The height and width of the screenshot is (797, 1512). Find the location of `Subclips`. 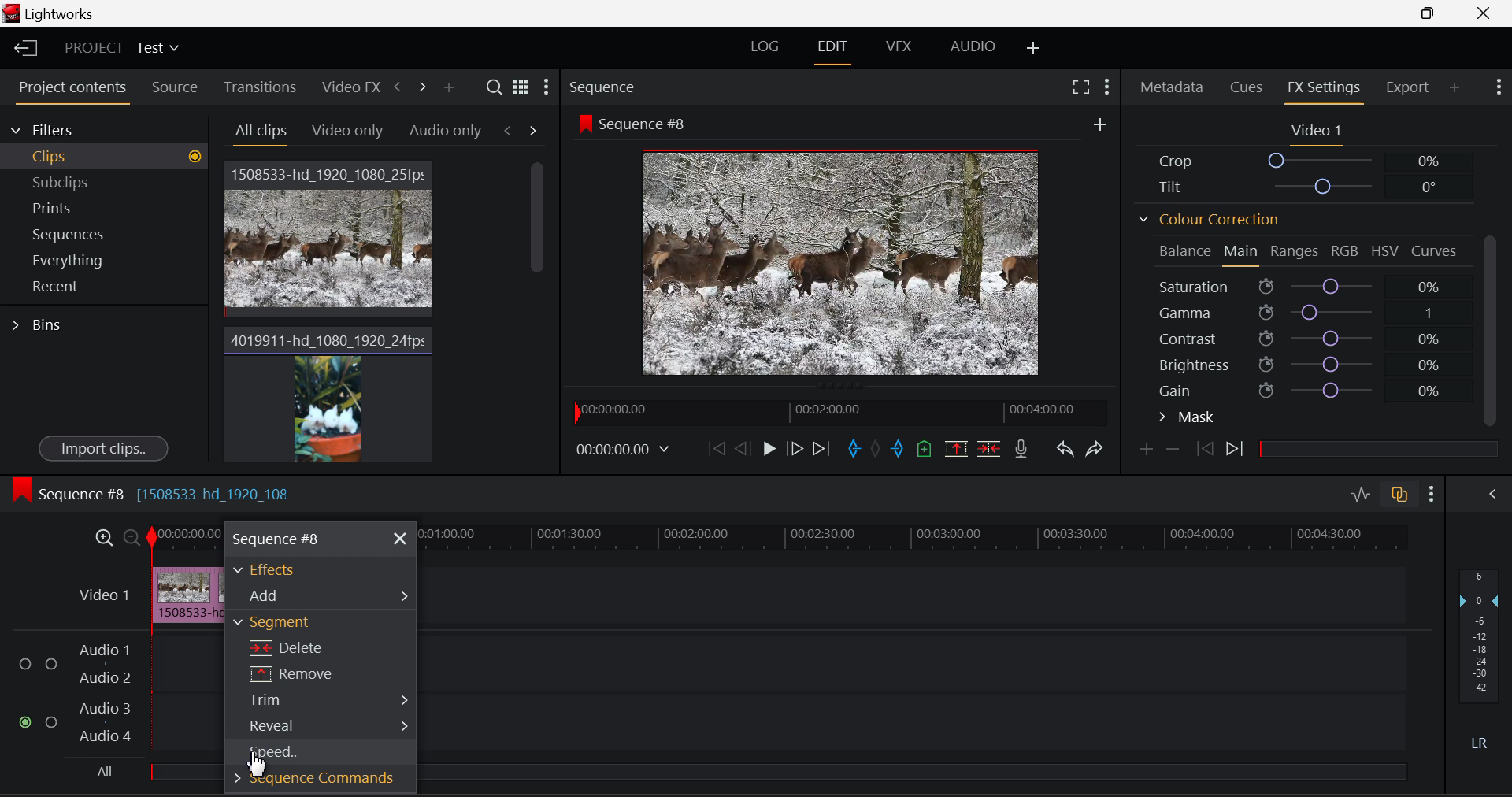

Subclips is located at coordinates (114, 182).